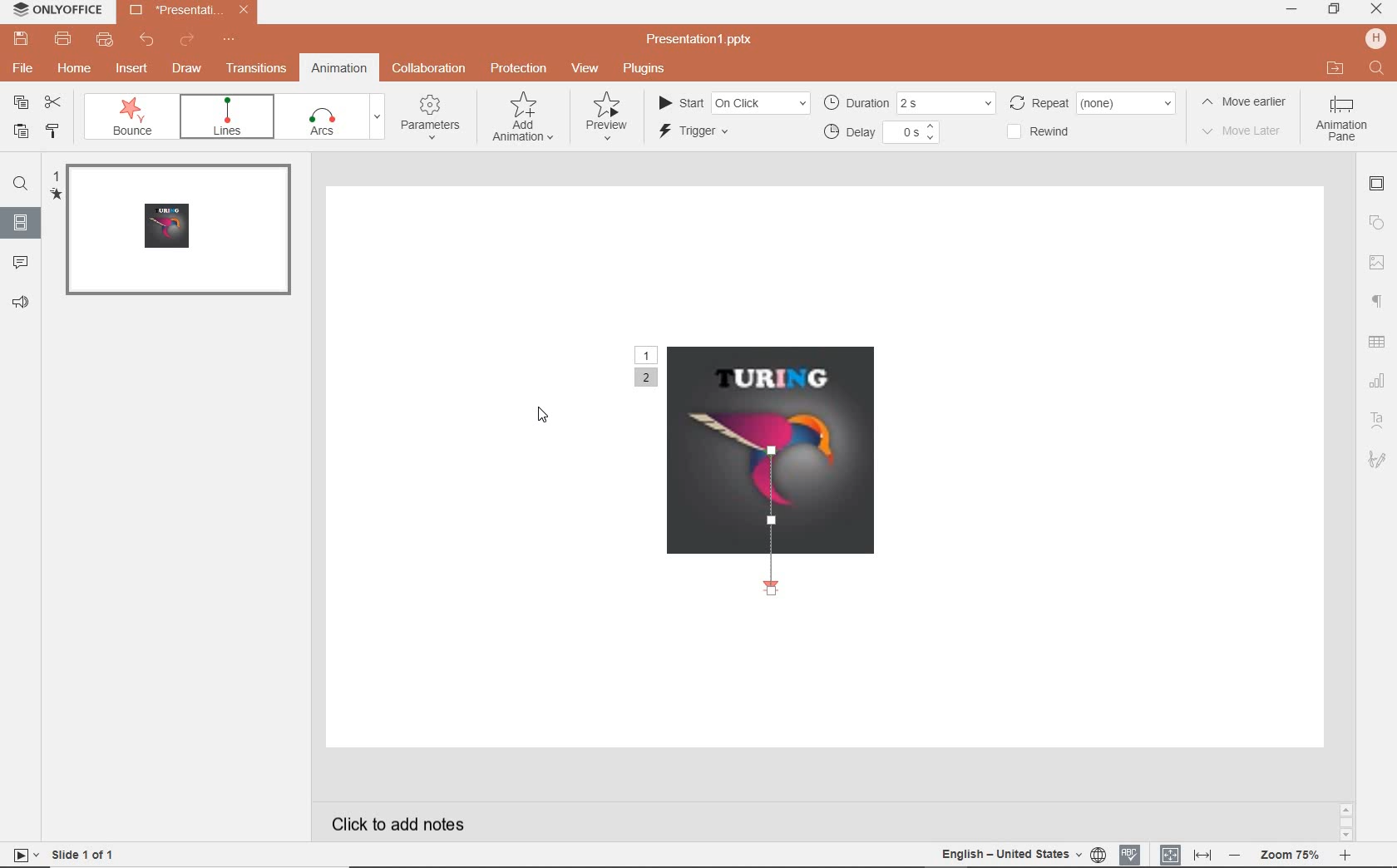 The image size is (1397, 868). What do you see at coordinates (1345, 822) in the screenshot?
I see `scroll bar` at bounding box center [1345, 822].